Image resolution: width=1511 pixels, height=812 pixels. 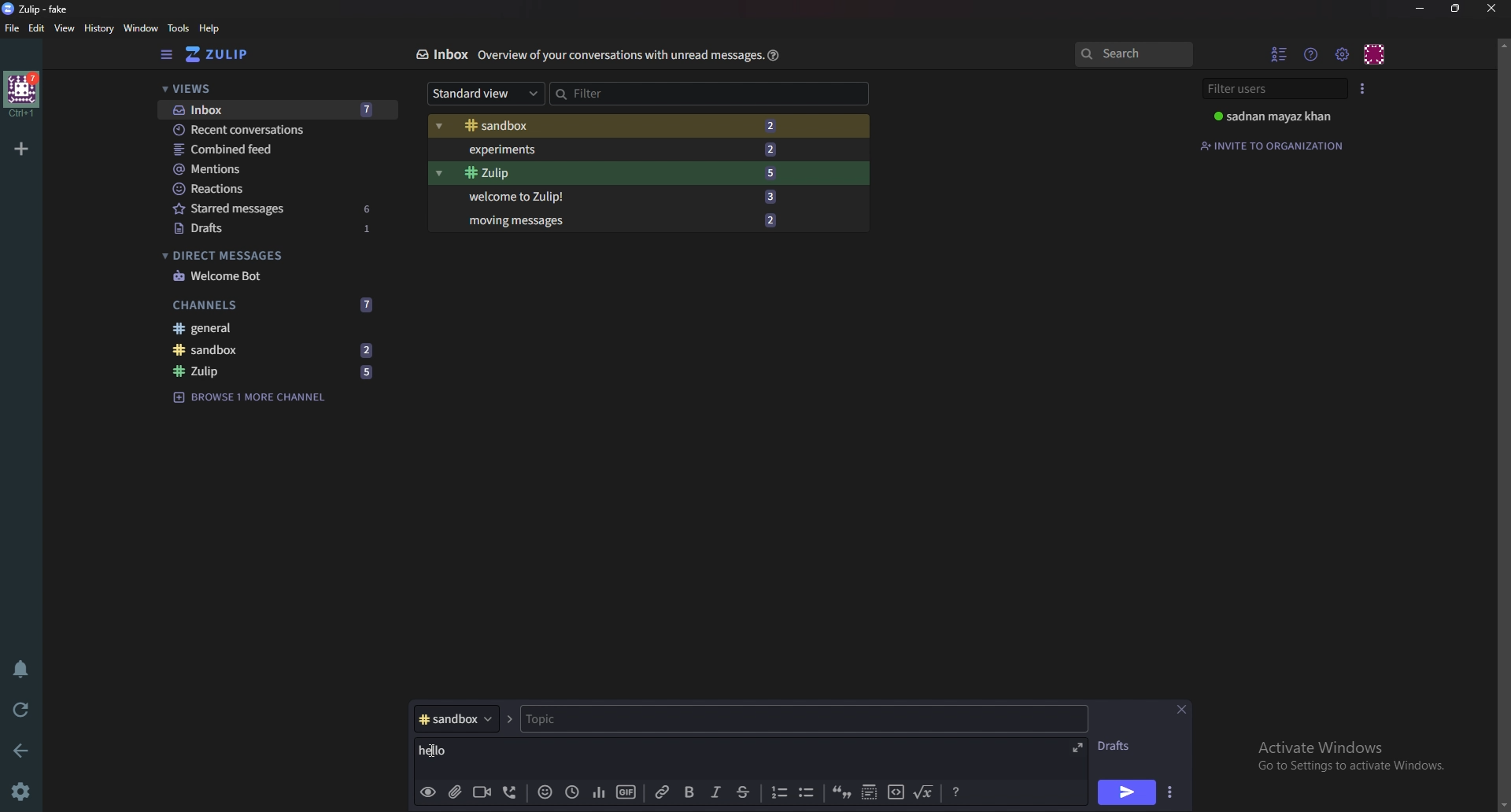 I want to click on voice call, so click(x=514, y=793).